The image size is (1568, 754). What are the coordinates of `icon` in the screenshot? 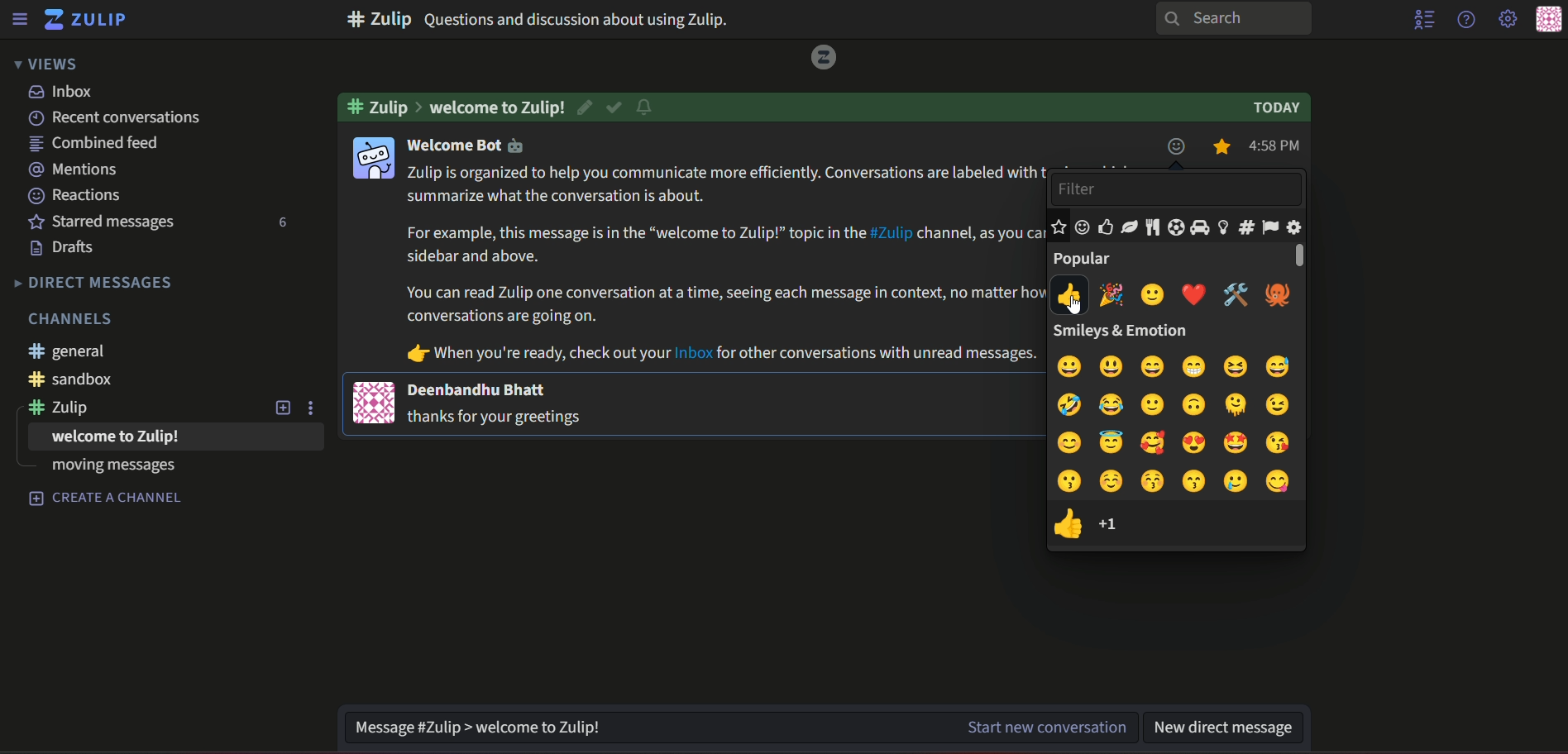 It's located at (375, 158).